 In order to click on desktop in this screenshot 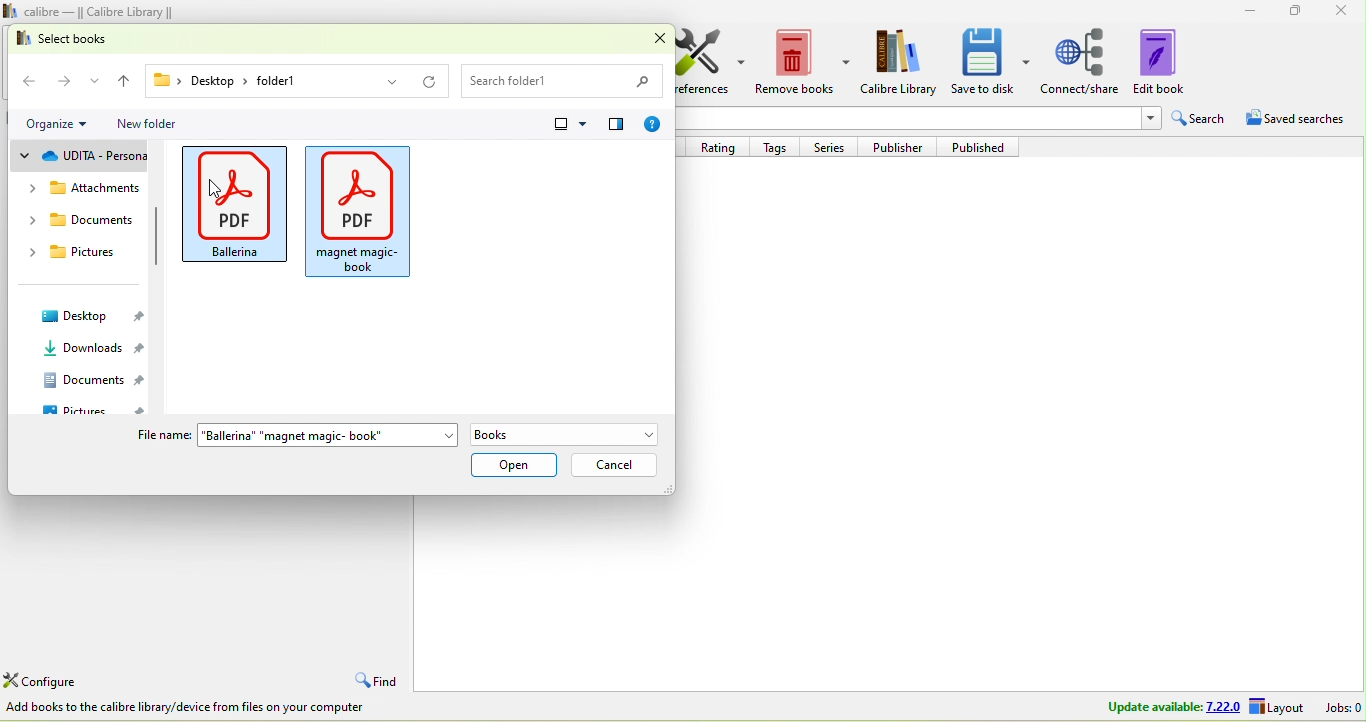, I will do `click(88, 317)`.